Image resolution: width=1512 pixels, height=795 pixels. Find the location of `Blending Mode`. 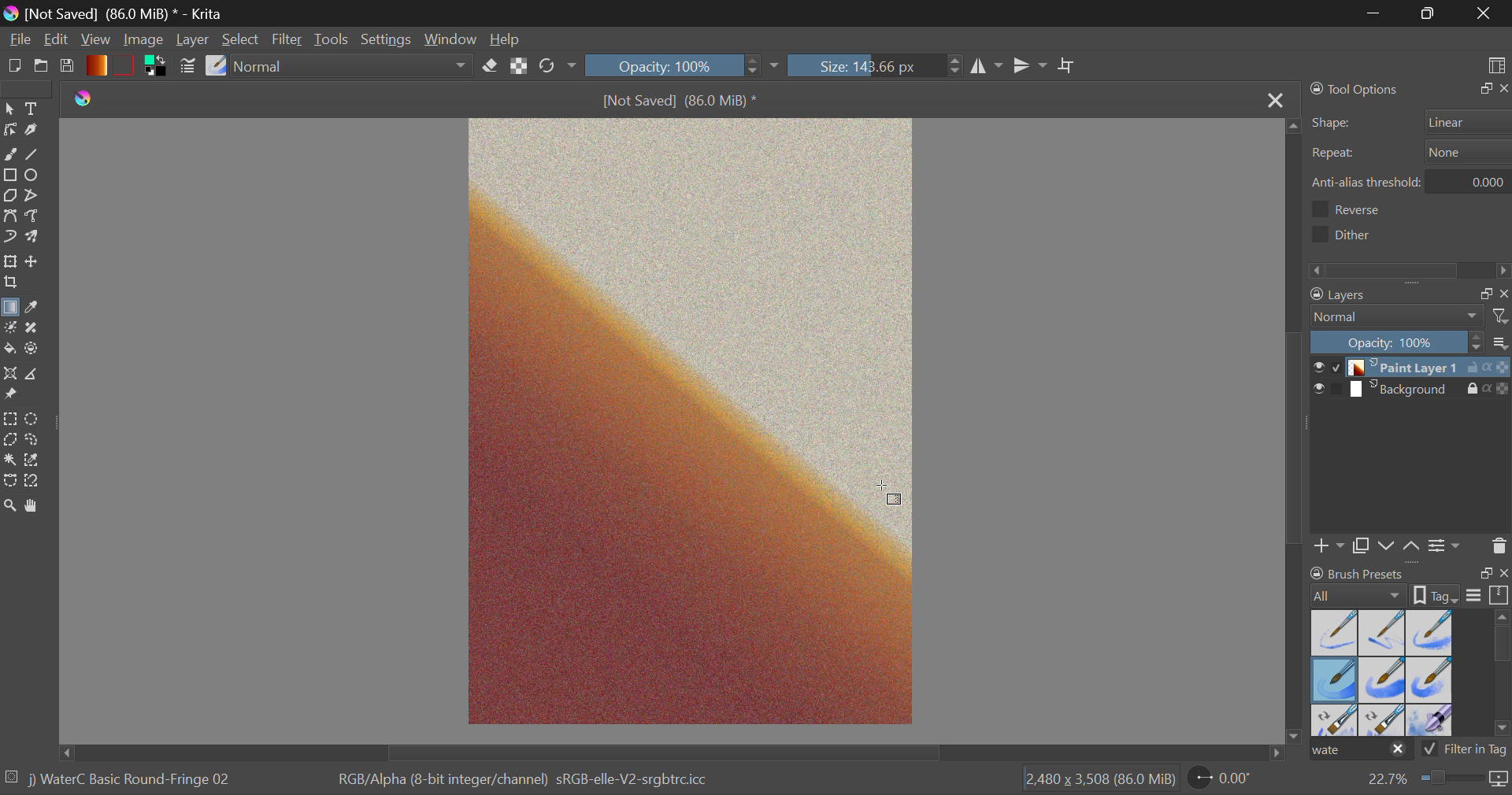

Blending Mode is located at coordinates (354, 65).